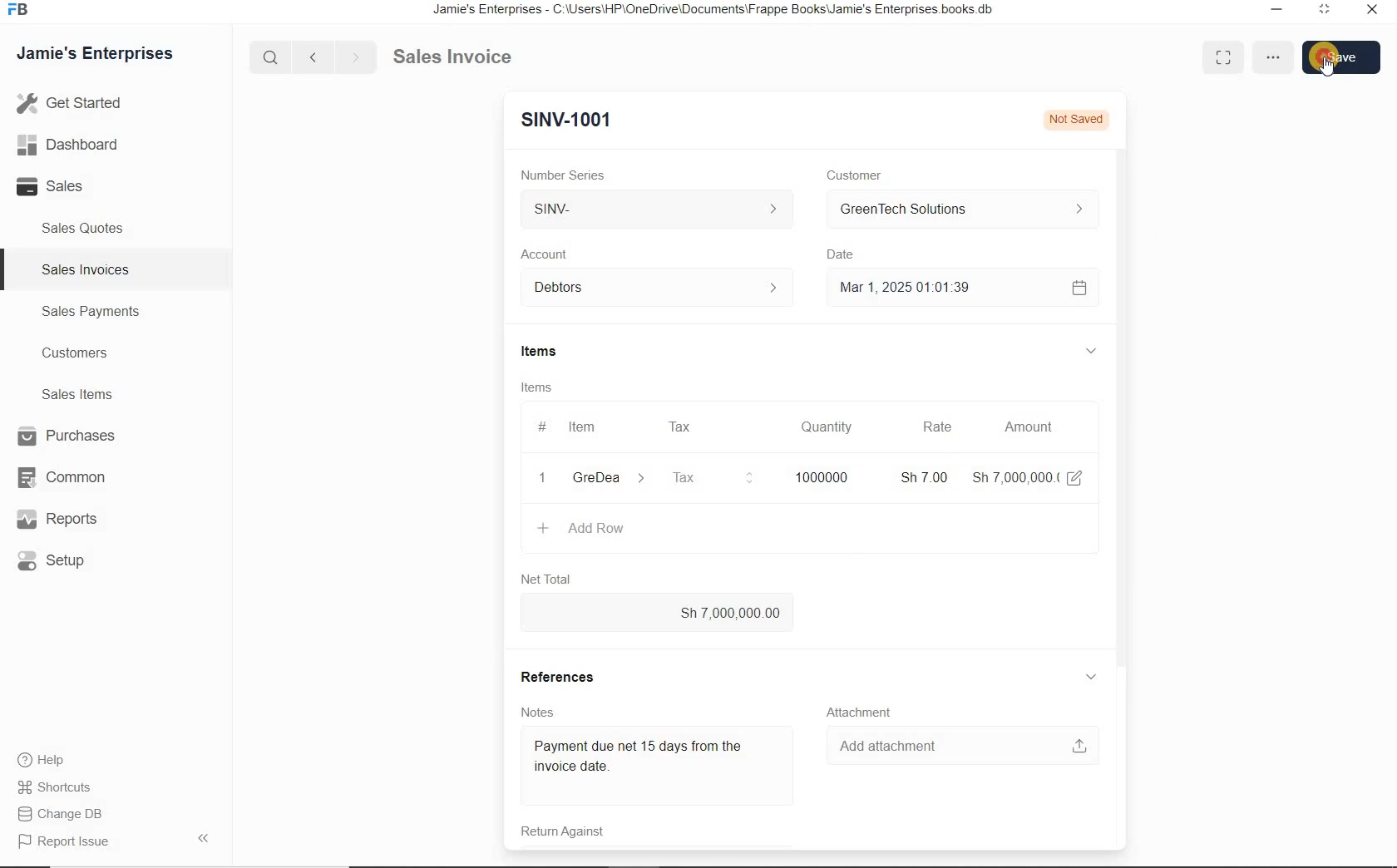 Image resolution: width=1397 pixels, height=868 pixels. Describe the element at coordinates (536, 387) in the screenshot. I see `Items.` at that location.